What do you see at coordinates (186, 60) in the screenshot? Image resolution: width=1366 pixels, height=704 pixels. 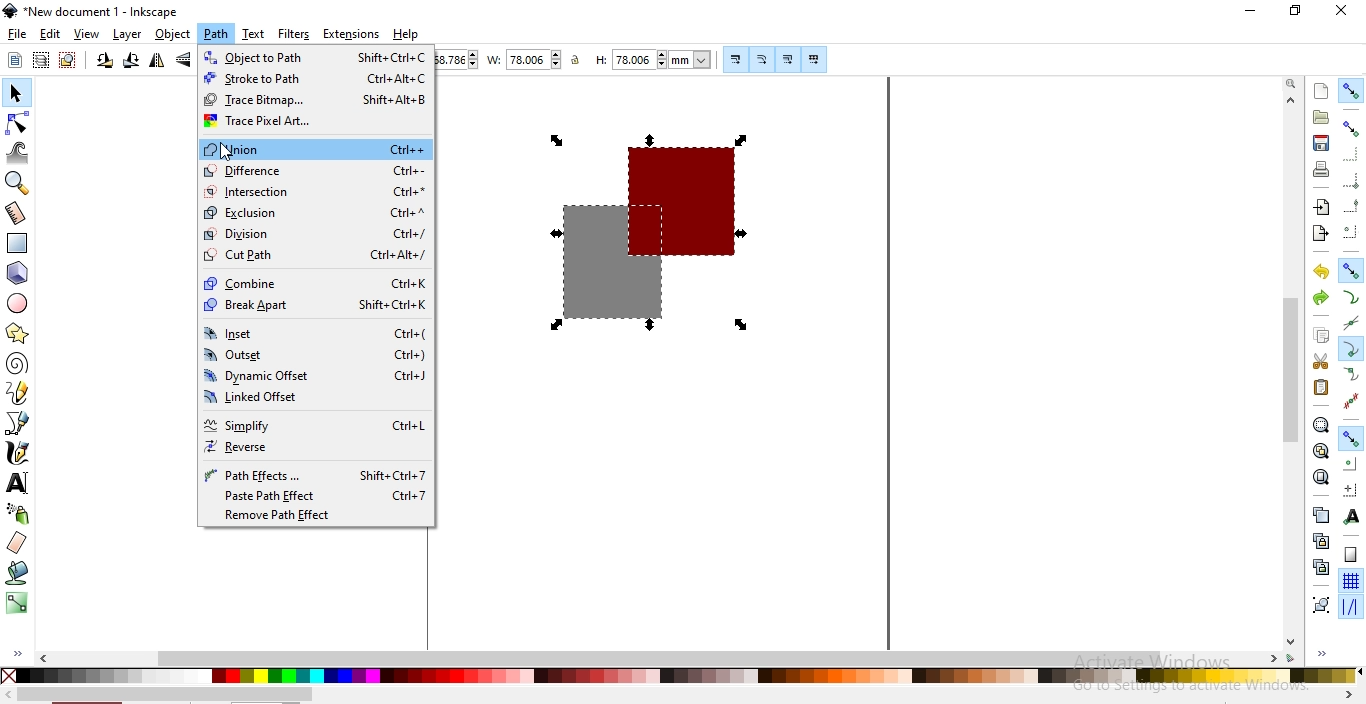 I see `flip vertical` at bounding box center [186, 60].